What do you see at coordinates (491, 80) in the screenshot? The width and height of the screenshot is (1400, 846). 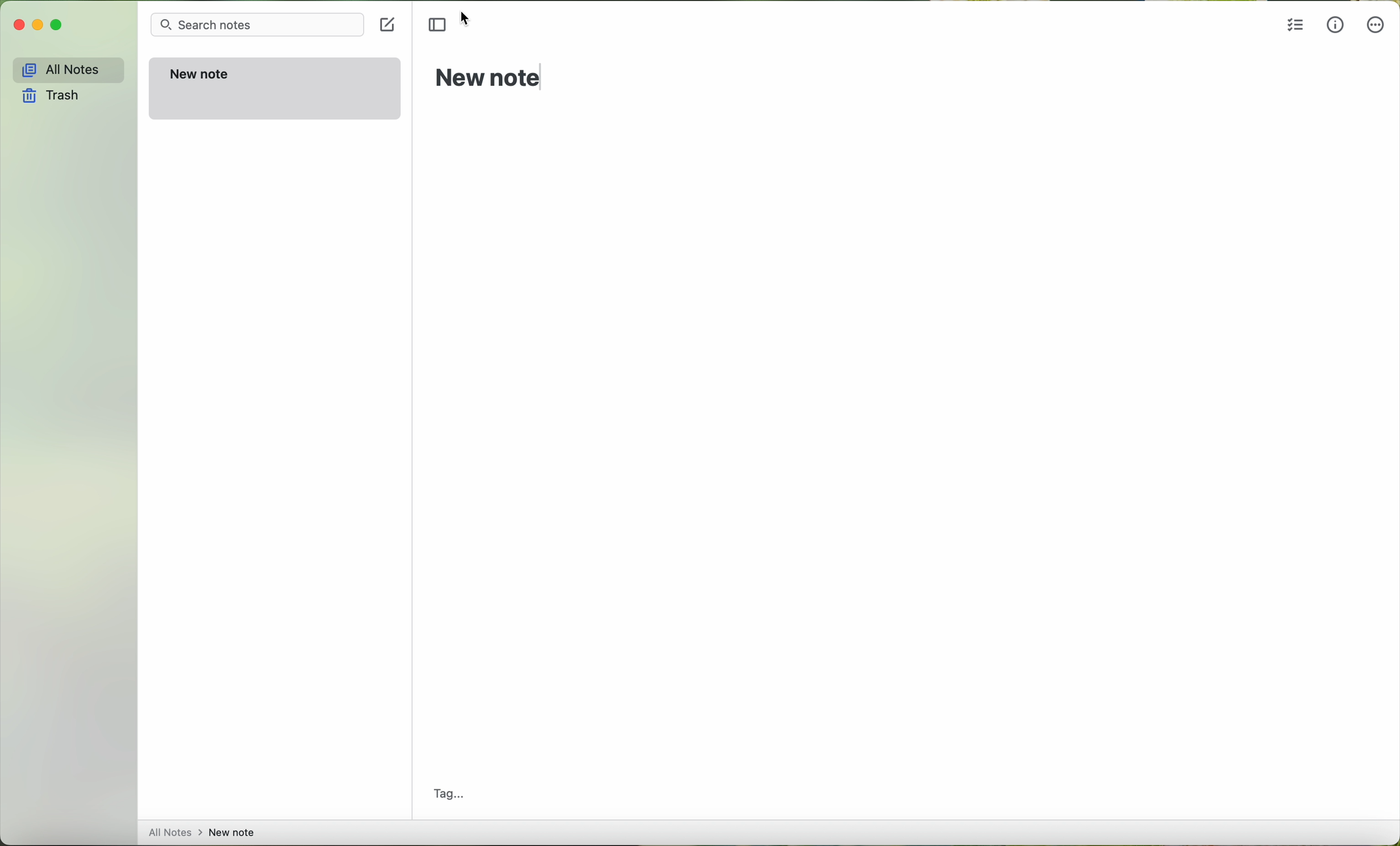 I see `new note` at bounding box center [491, 80].